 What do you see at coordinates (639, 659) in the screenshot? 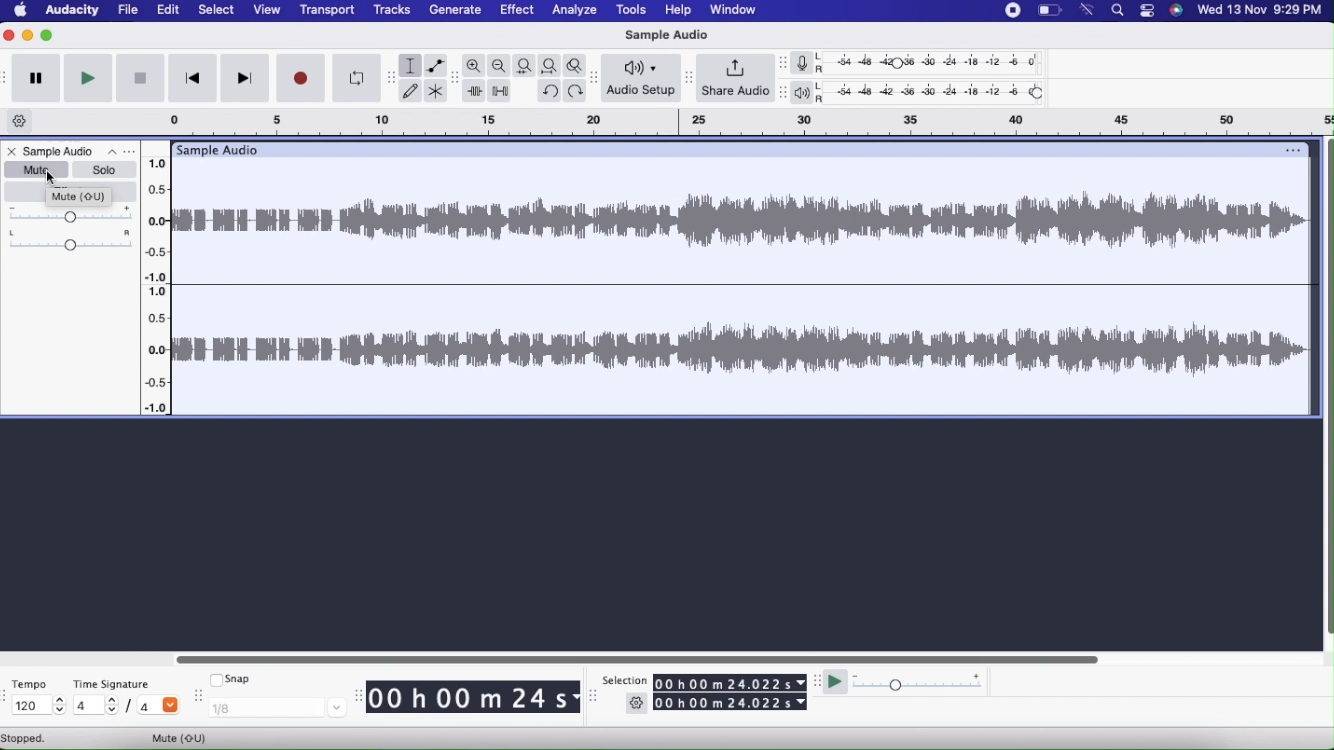
I see `horizonatal scrollbar` at bounding box center [639, 659].